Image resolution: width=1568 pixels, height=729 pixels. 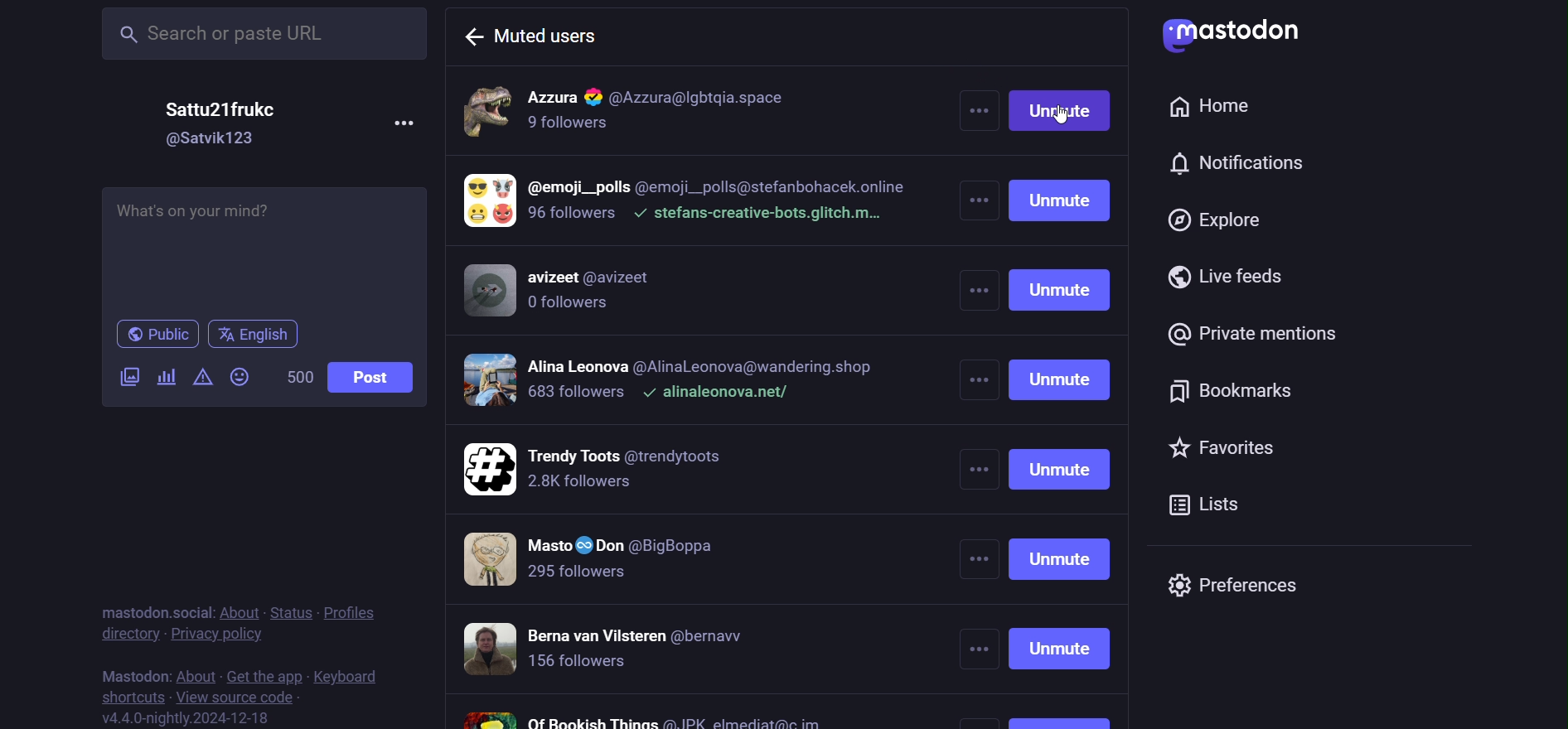 I want to click on notification, so click(x=1236, y=167).